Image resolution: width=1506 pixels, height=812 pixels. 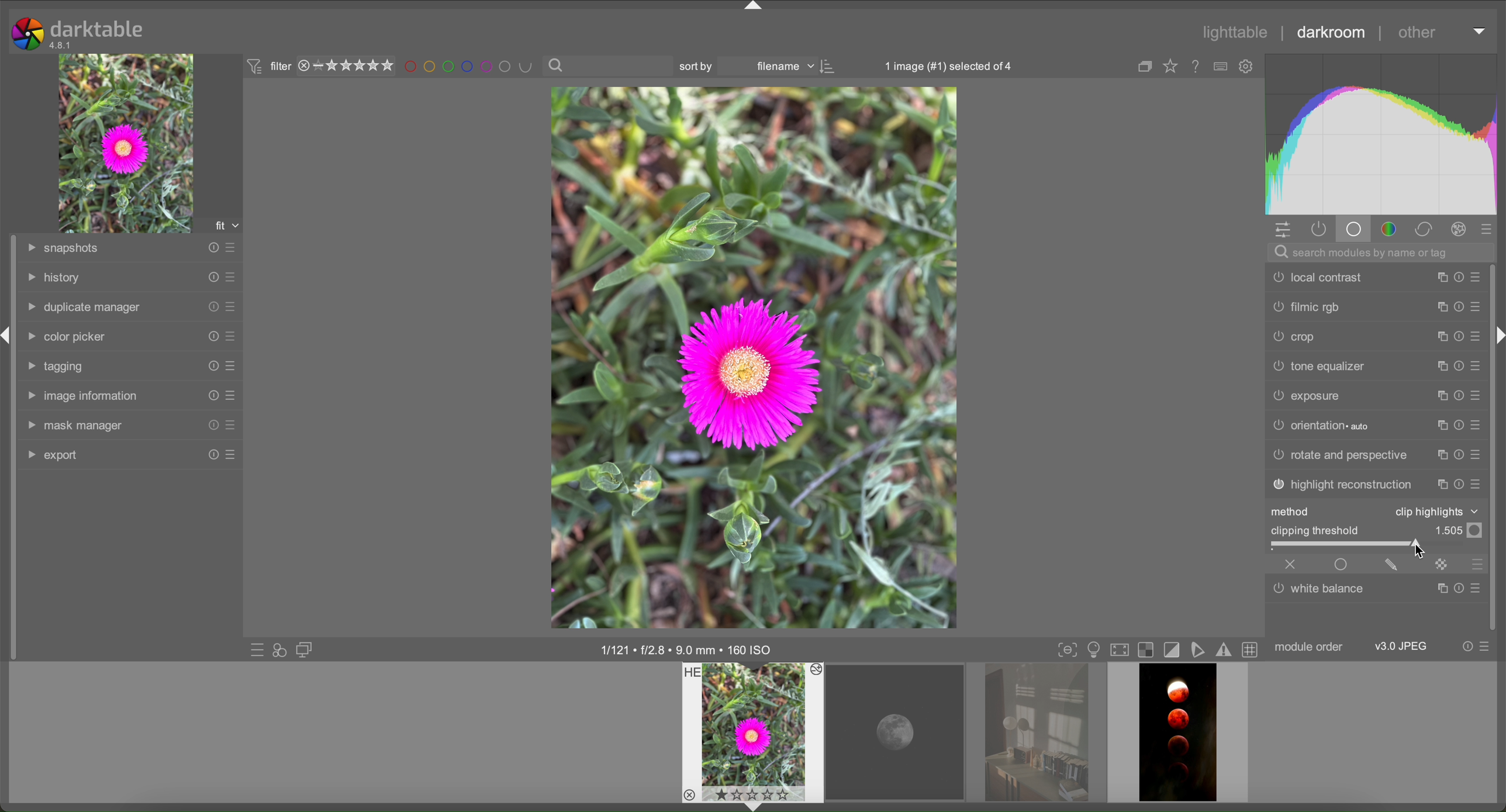 I want to click on history tab, so click(x=54, y=278).